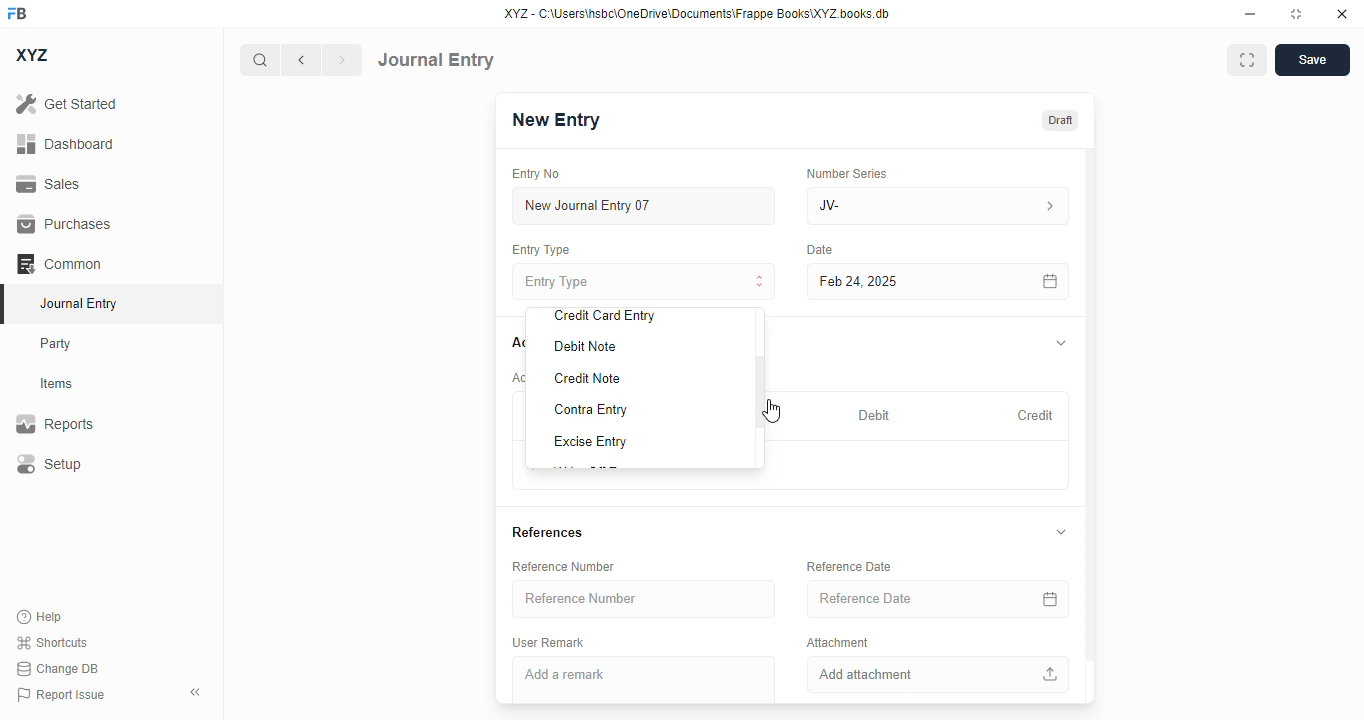 The width and height of the screenshot is (1364, 720). Describe the element at coordinates (838, 642) in the screenshot. I see `attachment` at that location.